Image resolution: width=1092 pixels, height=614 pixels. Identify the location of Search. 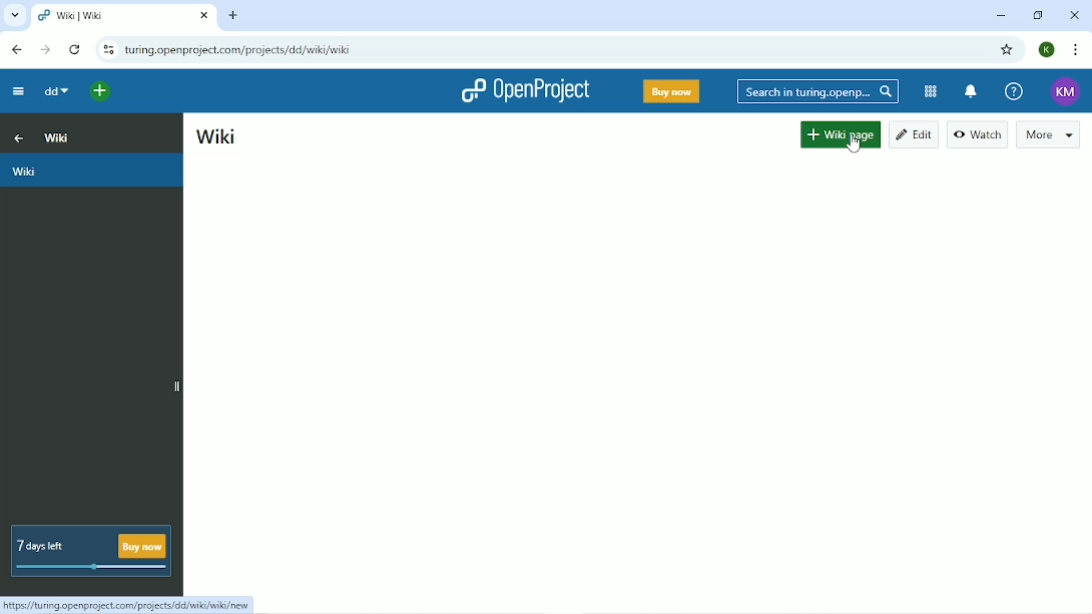
(819, 91).